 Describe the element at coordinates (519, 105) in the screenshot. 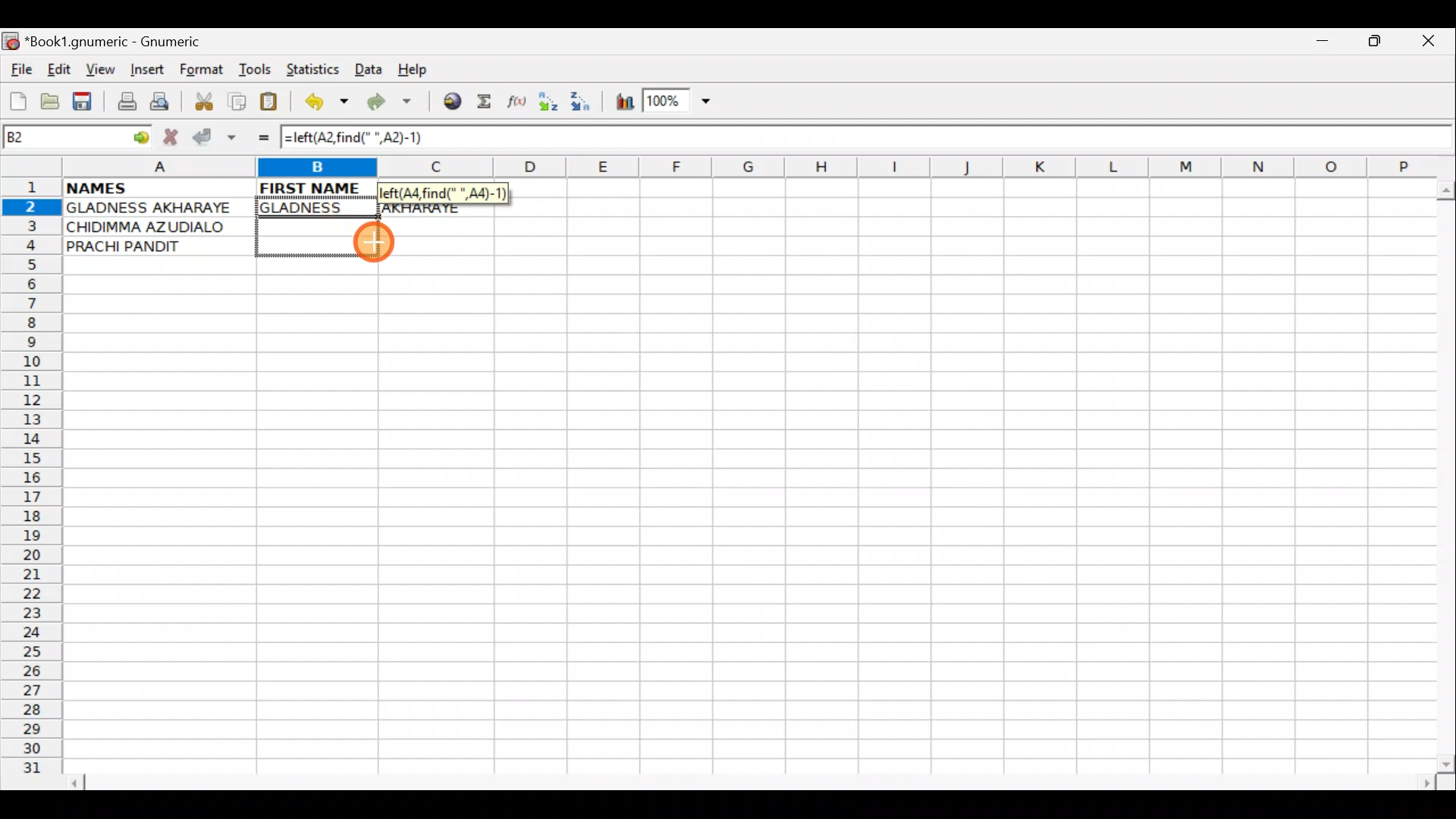

I see `Edit function in the current cell` at that location.